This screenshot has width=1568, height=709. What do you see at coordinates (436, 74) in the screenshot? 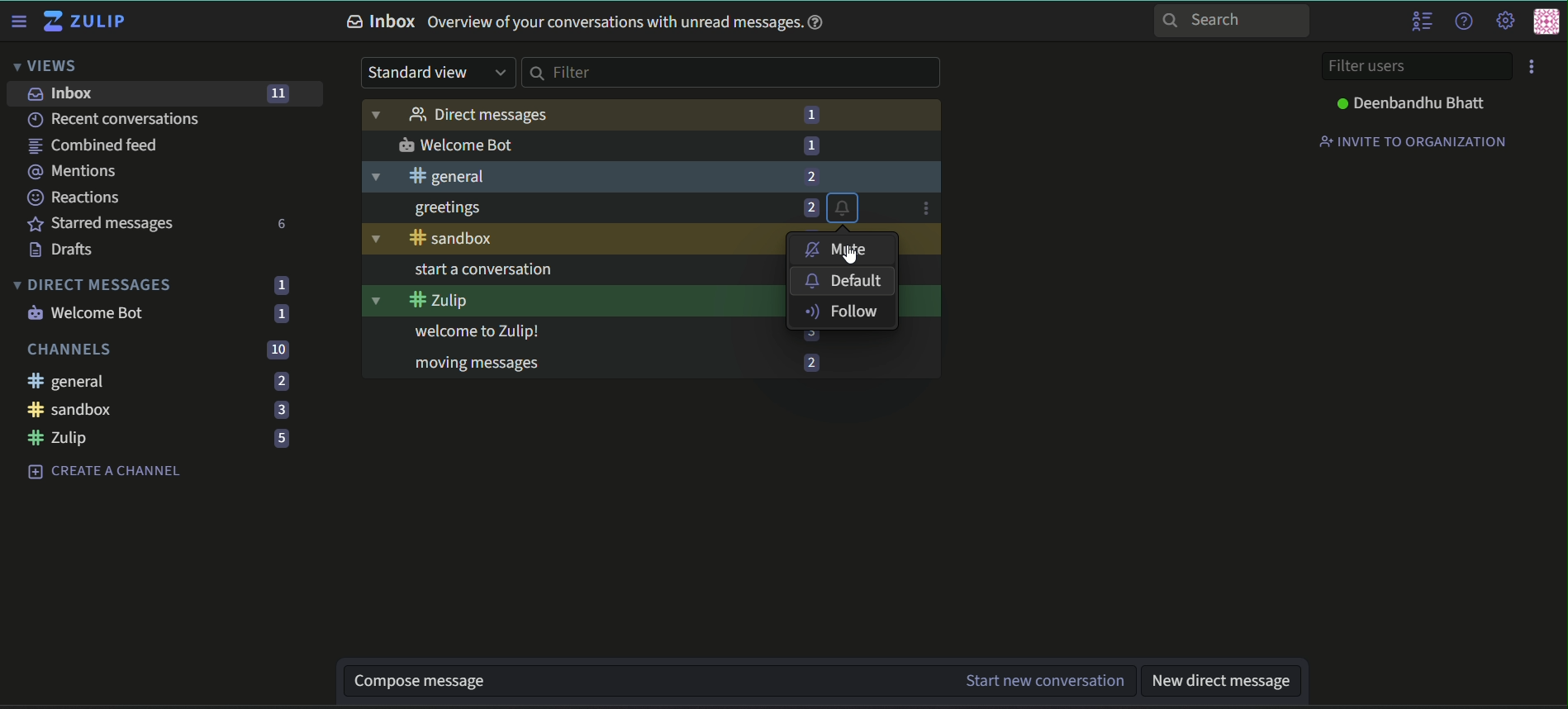
I see `Standard view` at bounding box center [436, 74].